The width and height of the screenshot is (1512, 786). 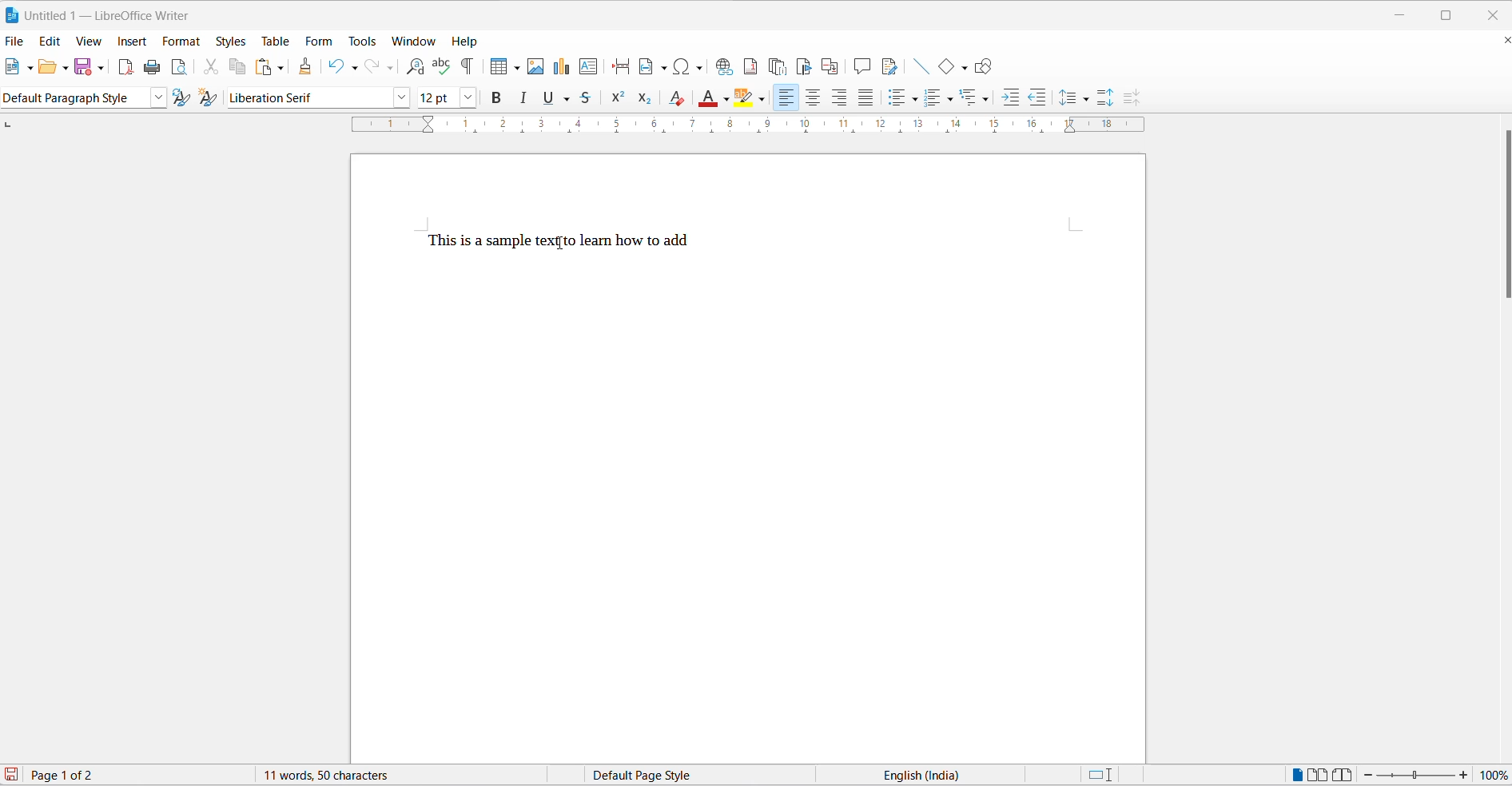 What do you see at coordinates (983, 65) in the screenshot?
I see `draw functions` at bounding box center [983, 65].